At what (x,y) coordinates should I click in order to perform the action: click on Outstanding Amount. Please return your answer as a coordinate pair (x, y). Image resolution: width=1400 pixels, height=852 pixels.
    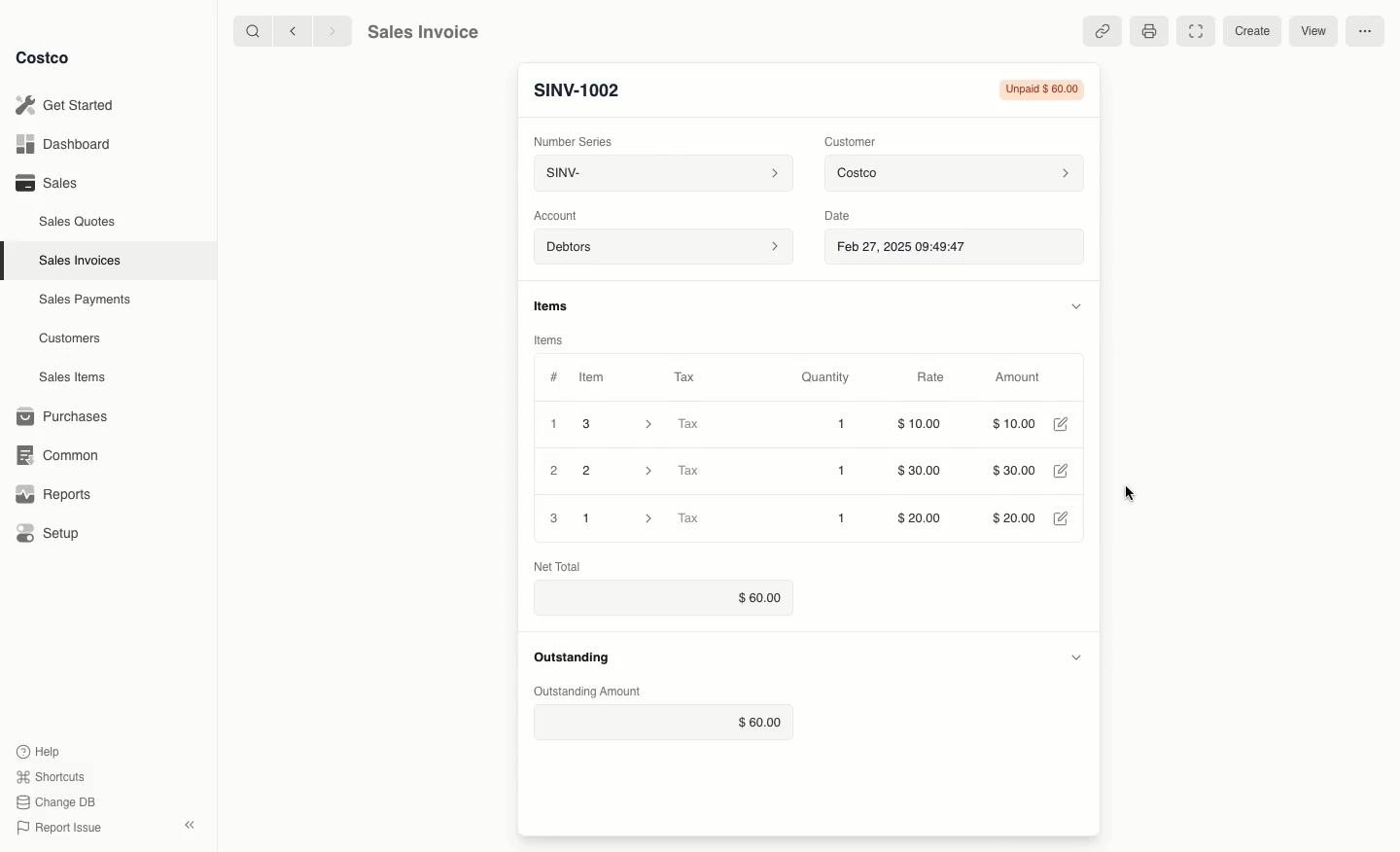
    Looking at the image, I should click on (587, 691).